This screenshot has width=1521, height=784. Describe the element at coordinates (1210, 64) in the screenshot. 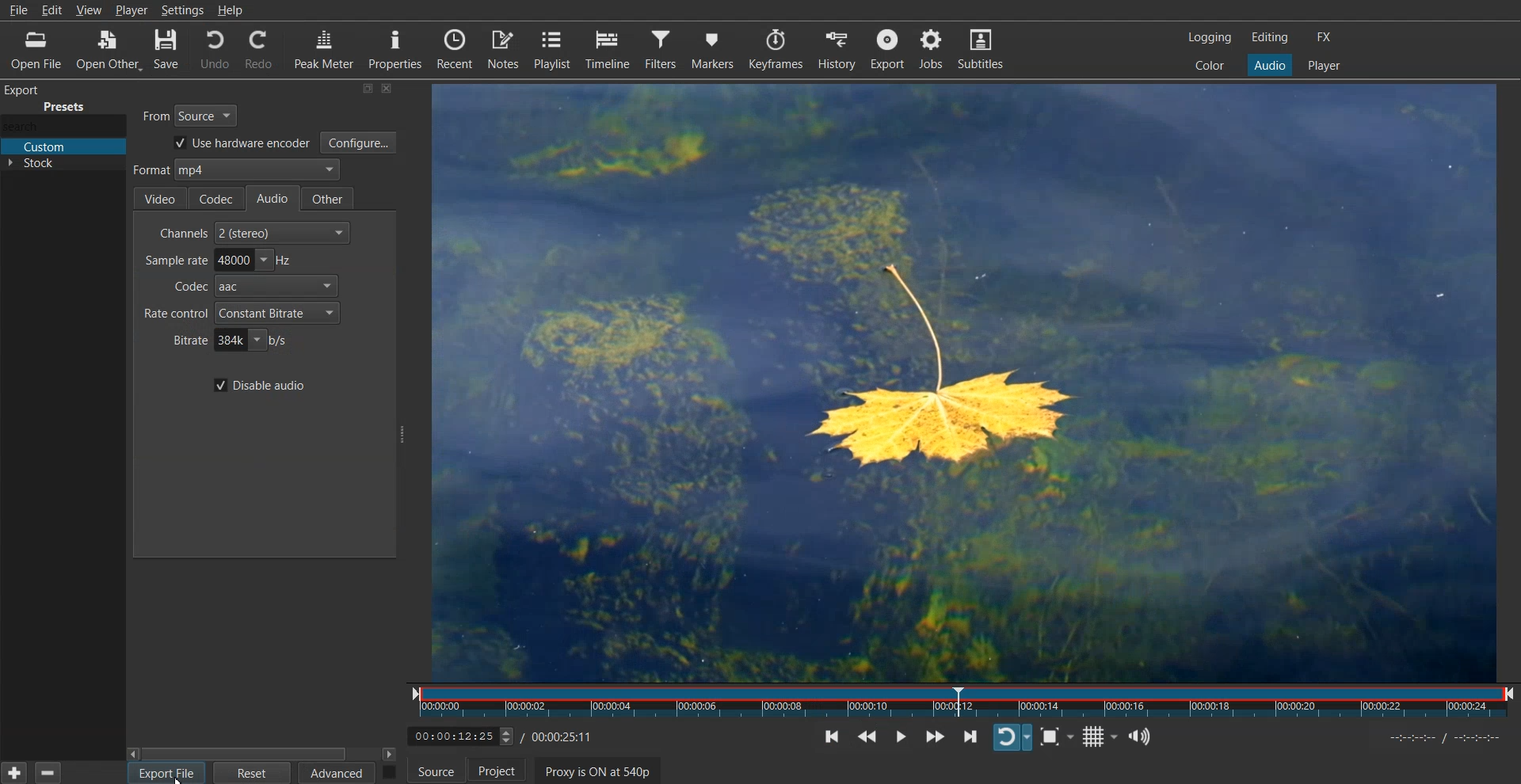

I see `Color` at that location.